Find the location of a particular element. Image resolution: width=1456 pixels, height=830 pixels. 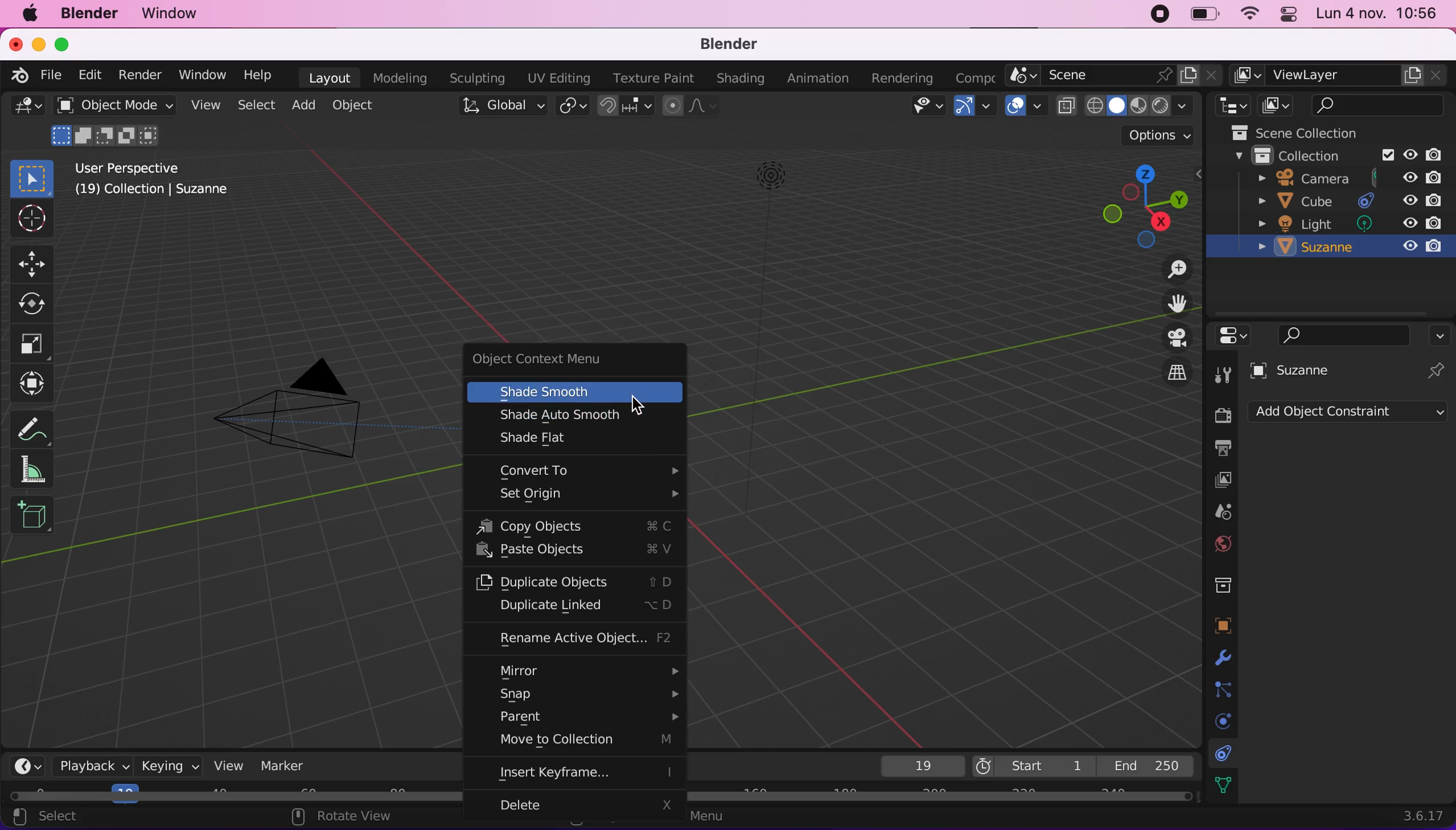

window is located at coordinates (170, 14).